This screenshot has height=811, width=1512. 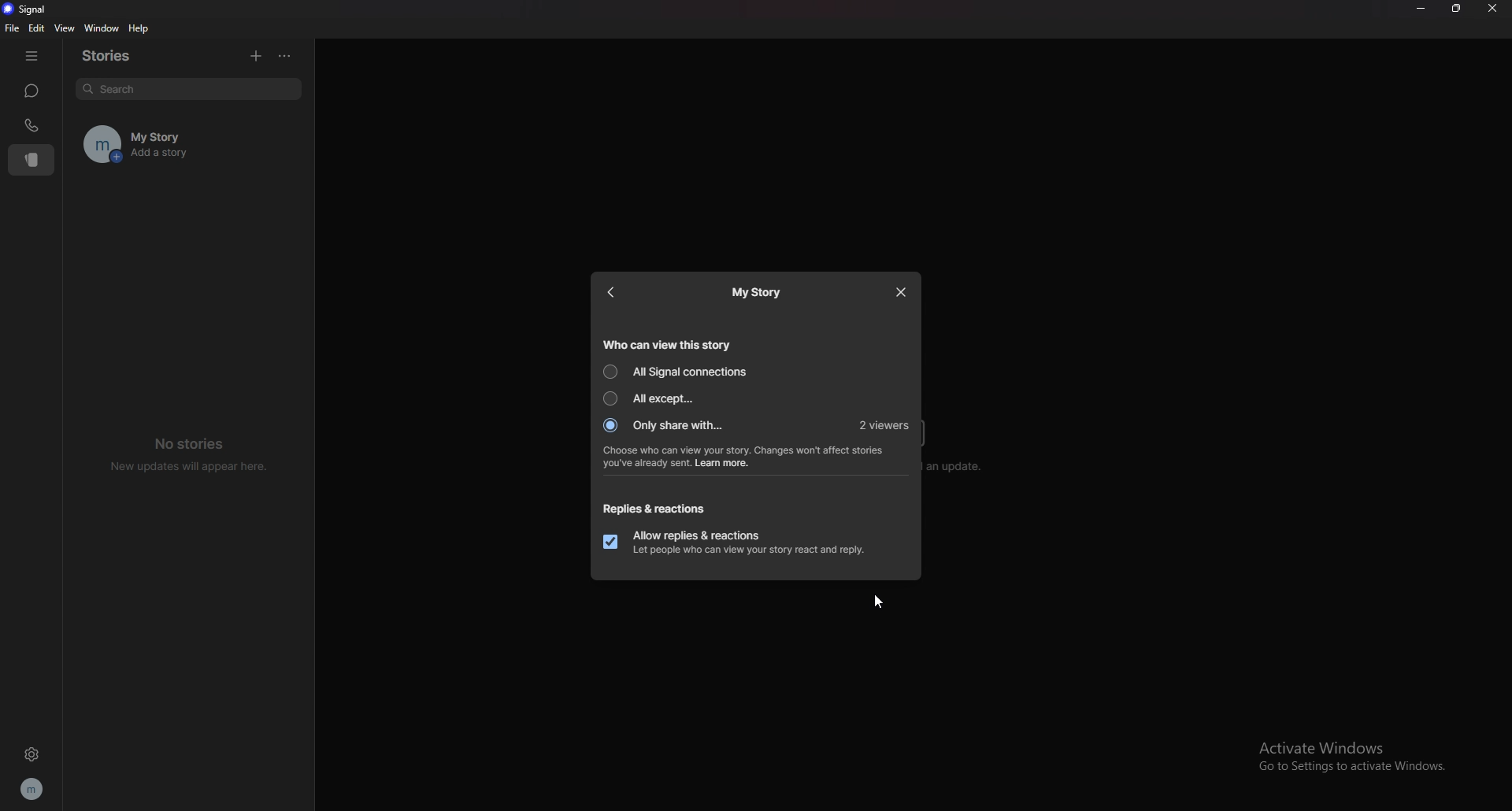 I want to click on calls, so click(x=31, y=125).